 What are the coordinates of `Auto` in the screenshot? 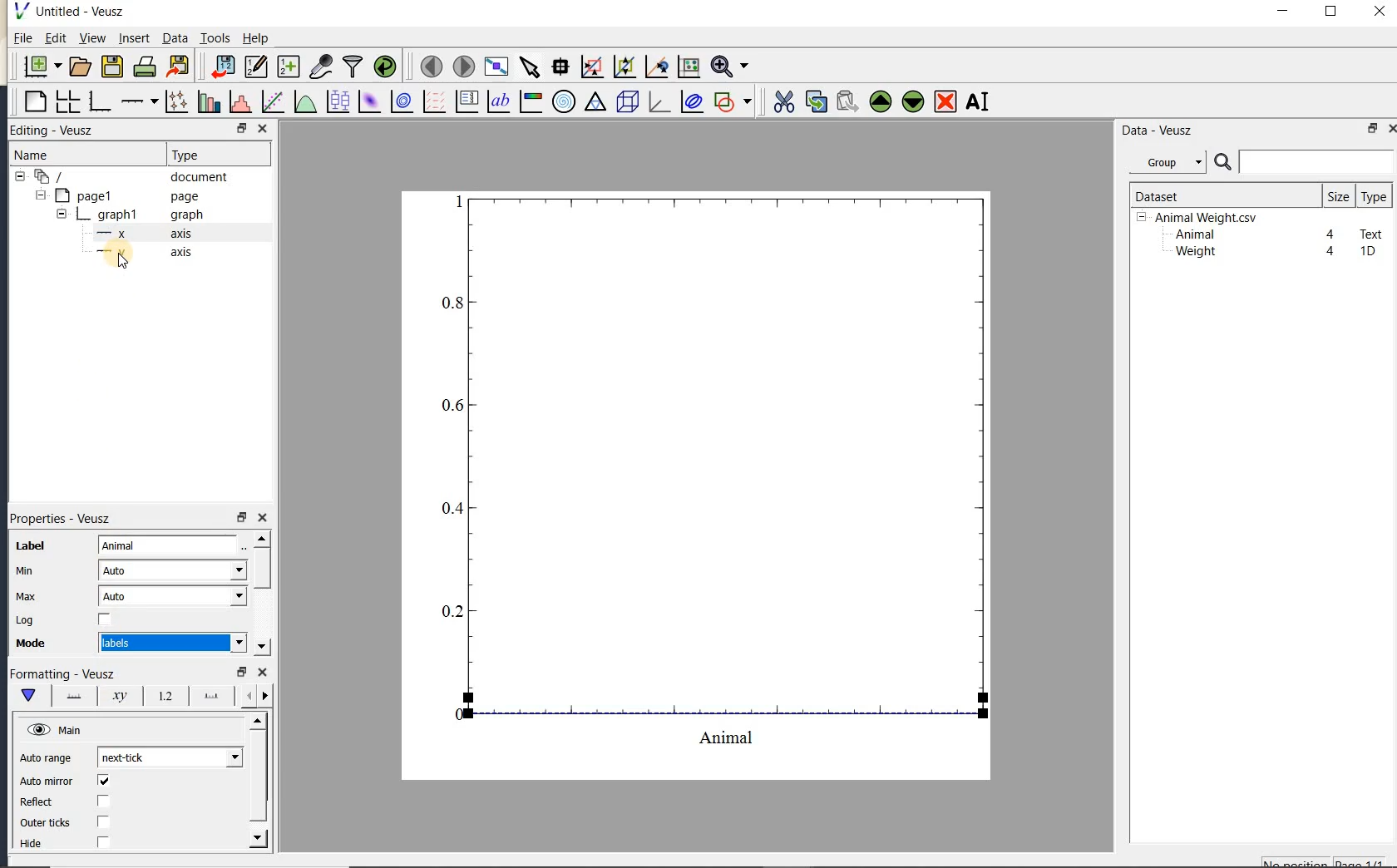 It's located at (173, 596).